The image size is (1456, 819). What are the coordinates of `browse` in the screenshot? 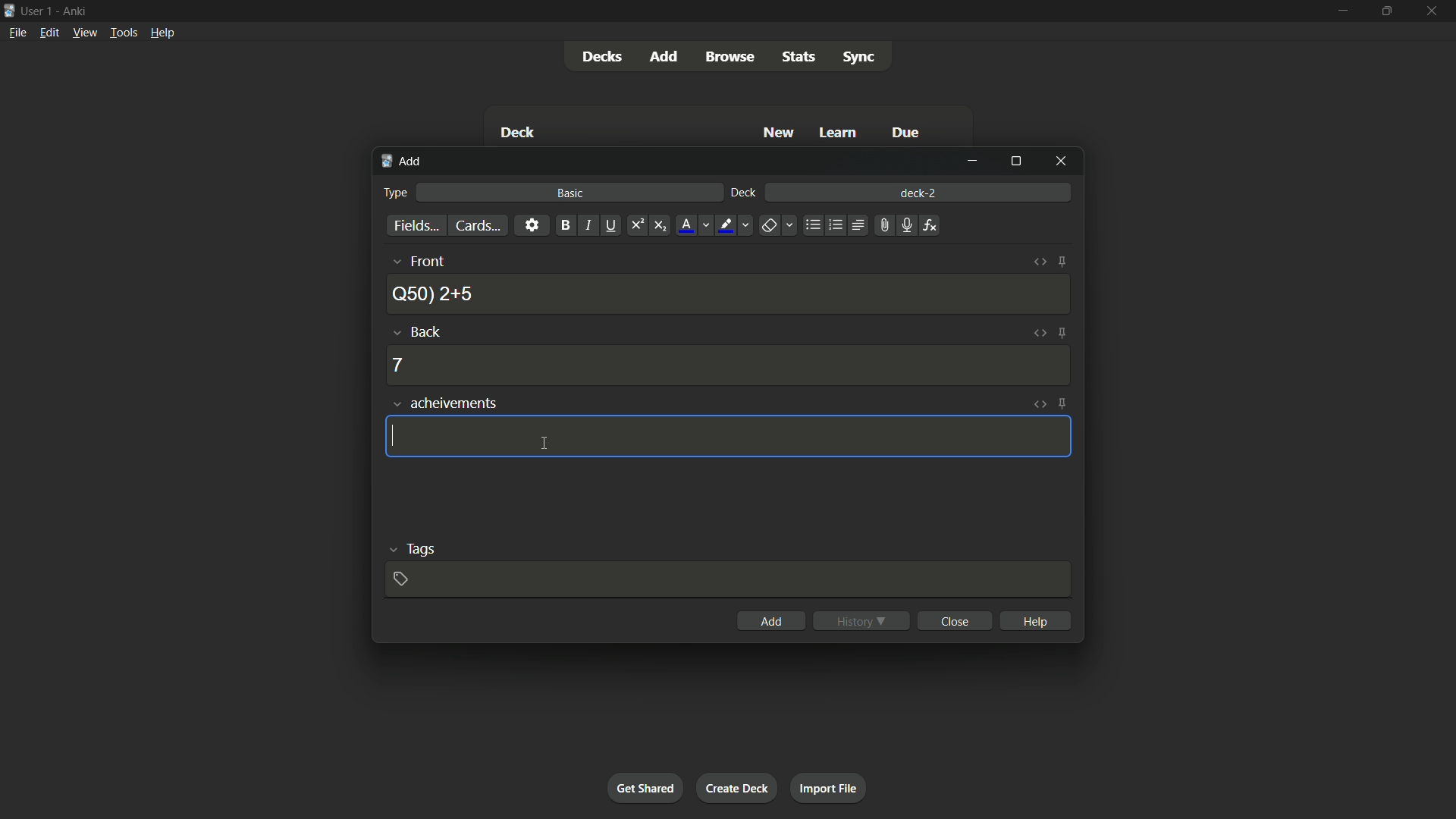 It's located at (727, 57).